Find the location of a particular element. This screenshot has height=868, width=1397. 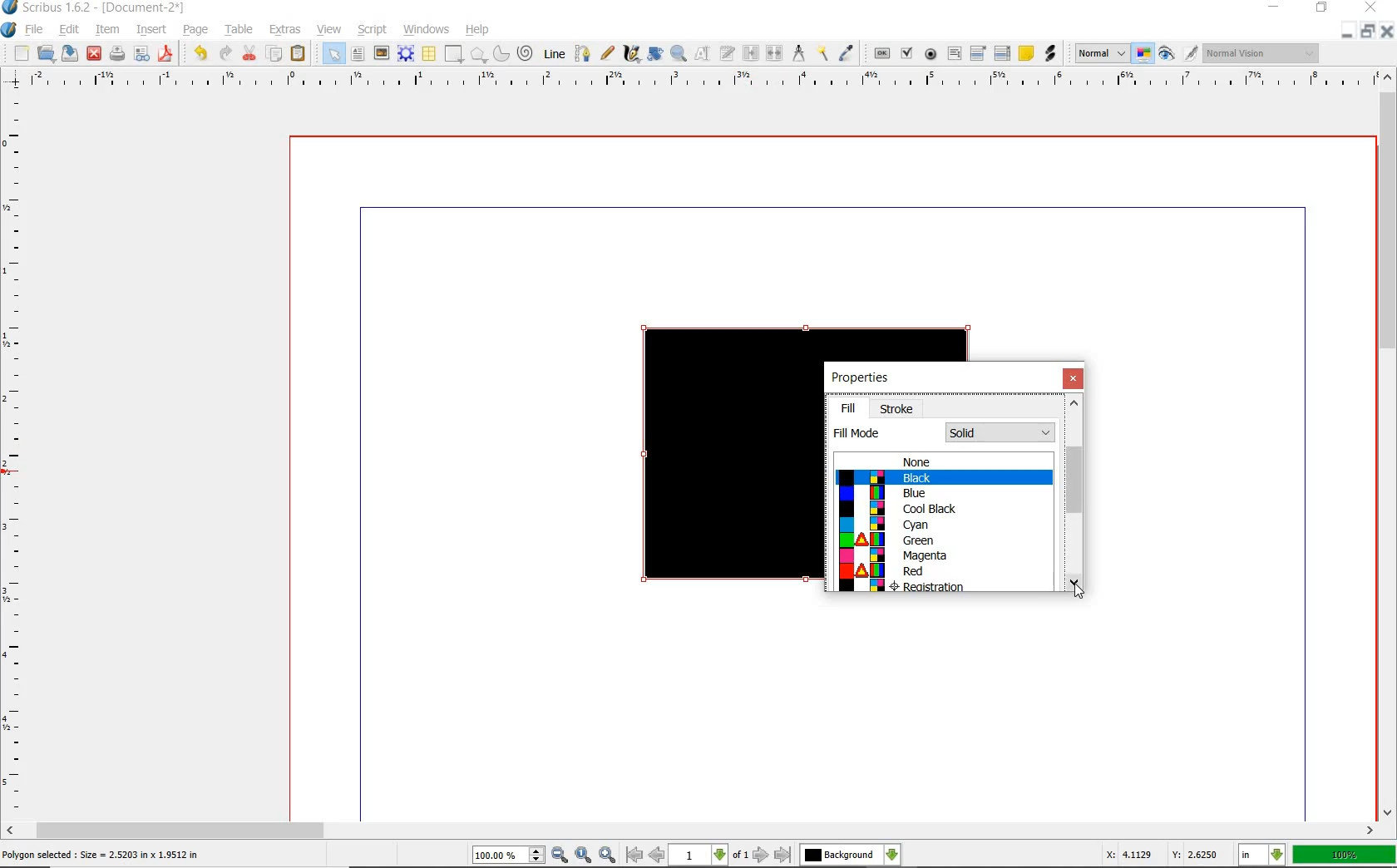

scrollbar is located at coordinates (1387, 445).